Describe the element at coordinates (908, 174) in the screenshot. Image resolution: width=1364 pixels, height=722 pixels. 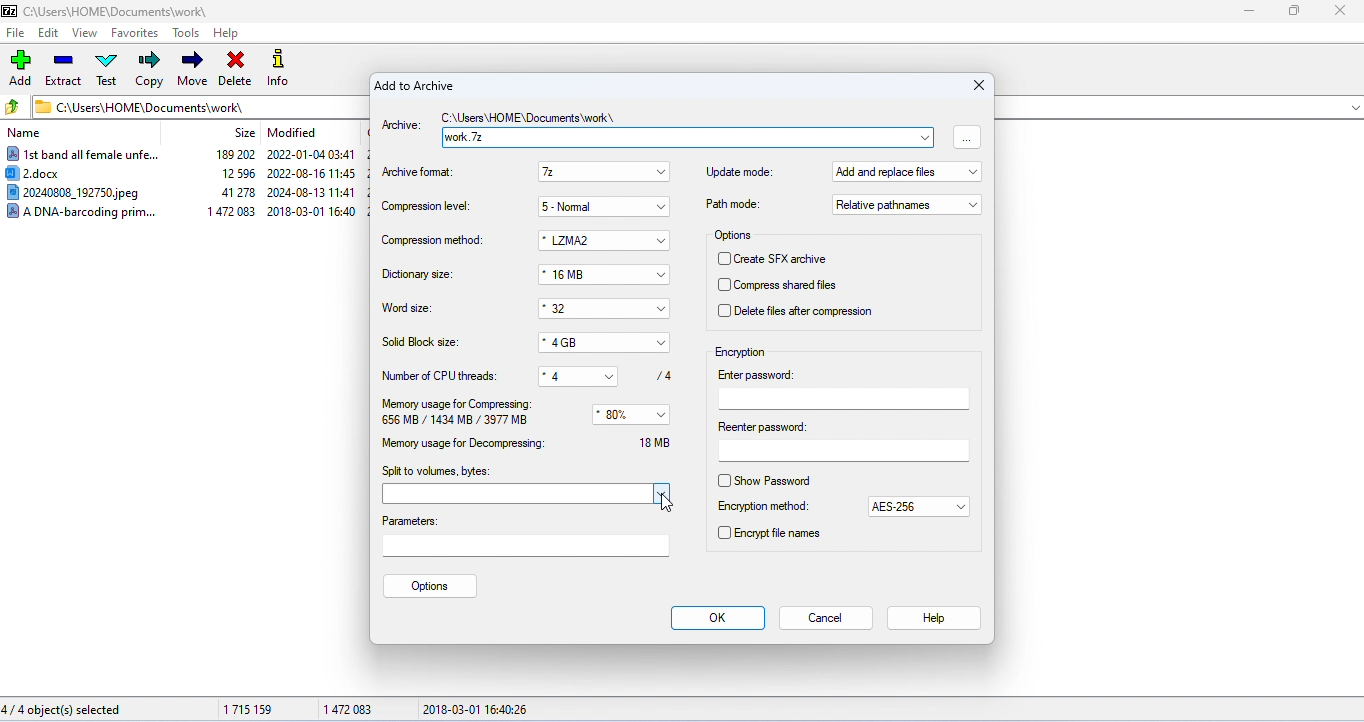
I see `add and replace files` at that location.